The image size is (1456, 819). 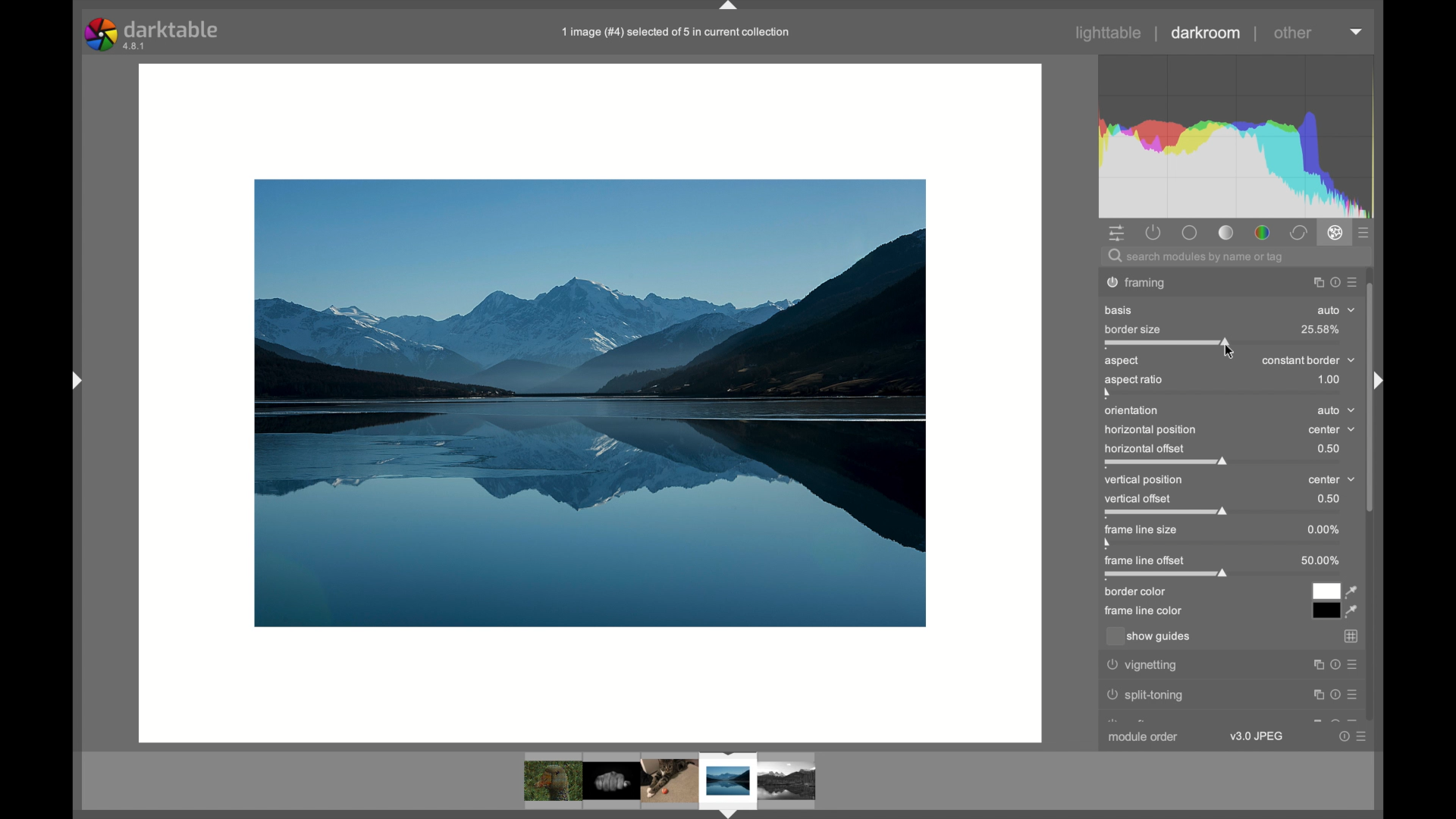 What do you see at coordinates (1227, 234) in the screenshot?
I see `base` at bounding box center [1227, 234].